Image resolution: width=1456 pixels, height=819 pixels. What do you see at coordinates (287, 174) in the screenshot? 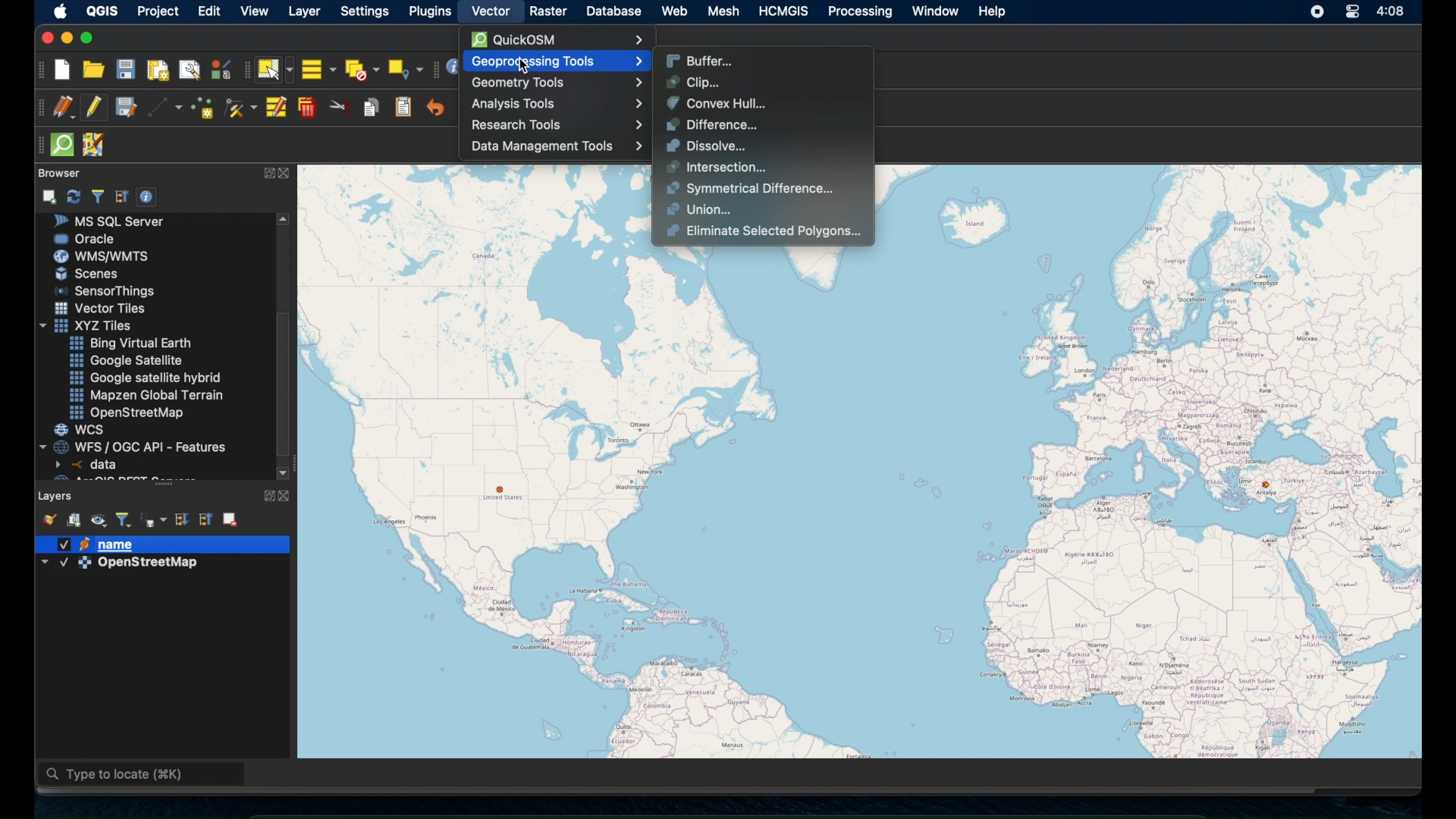
I see `close` at bounding box center [287, 174].